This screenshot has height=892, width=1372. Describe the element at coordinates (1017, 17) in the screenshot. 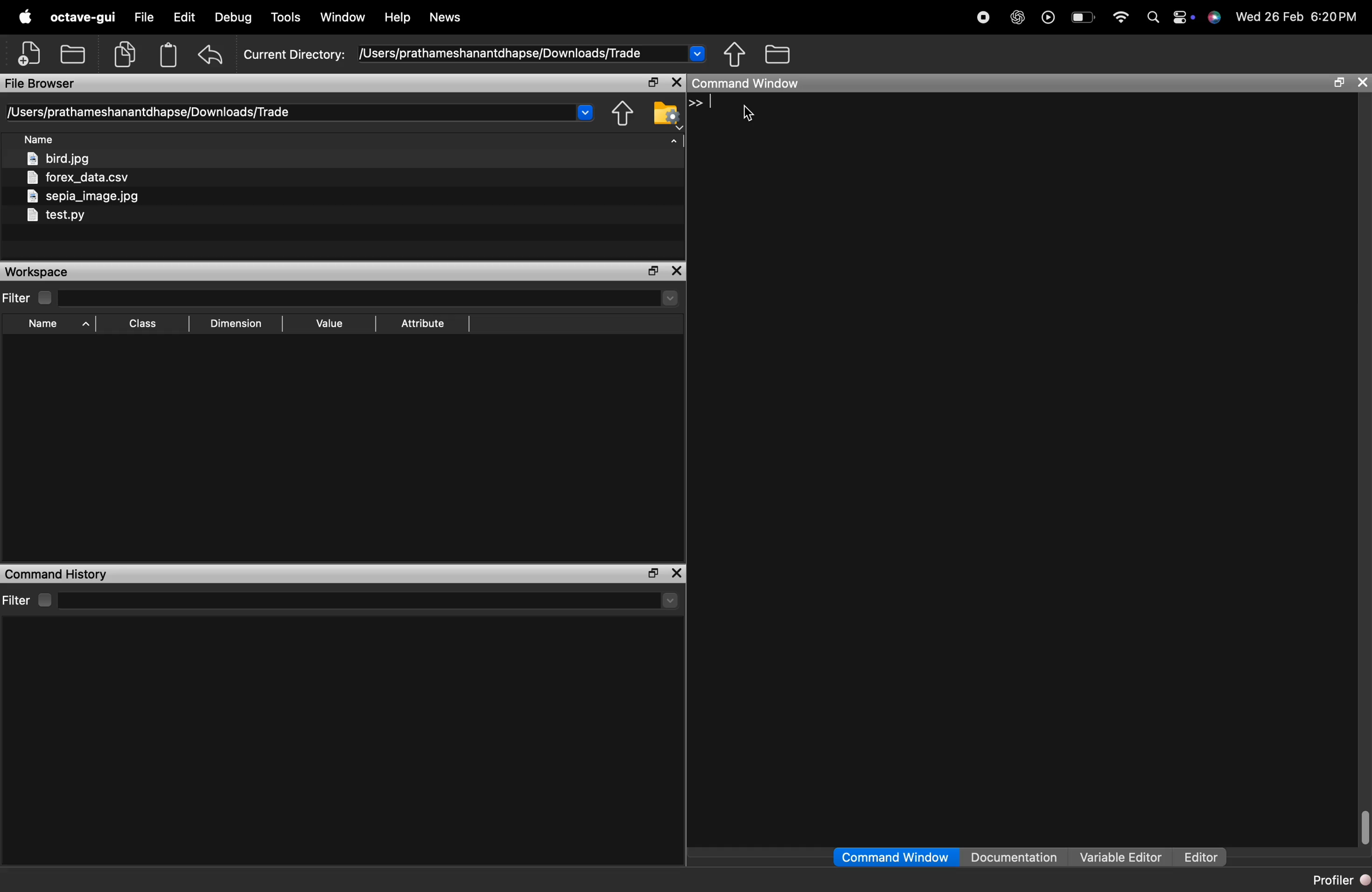

I see `chatgpt` at that location.